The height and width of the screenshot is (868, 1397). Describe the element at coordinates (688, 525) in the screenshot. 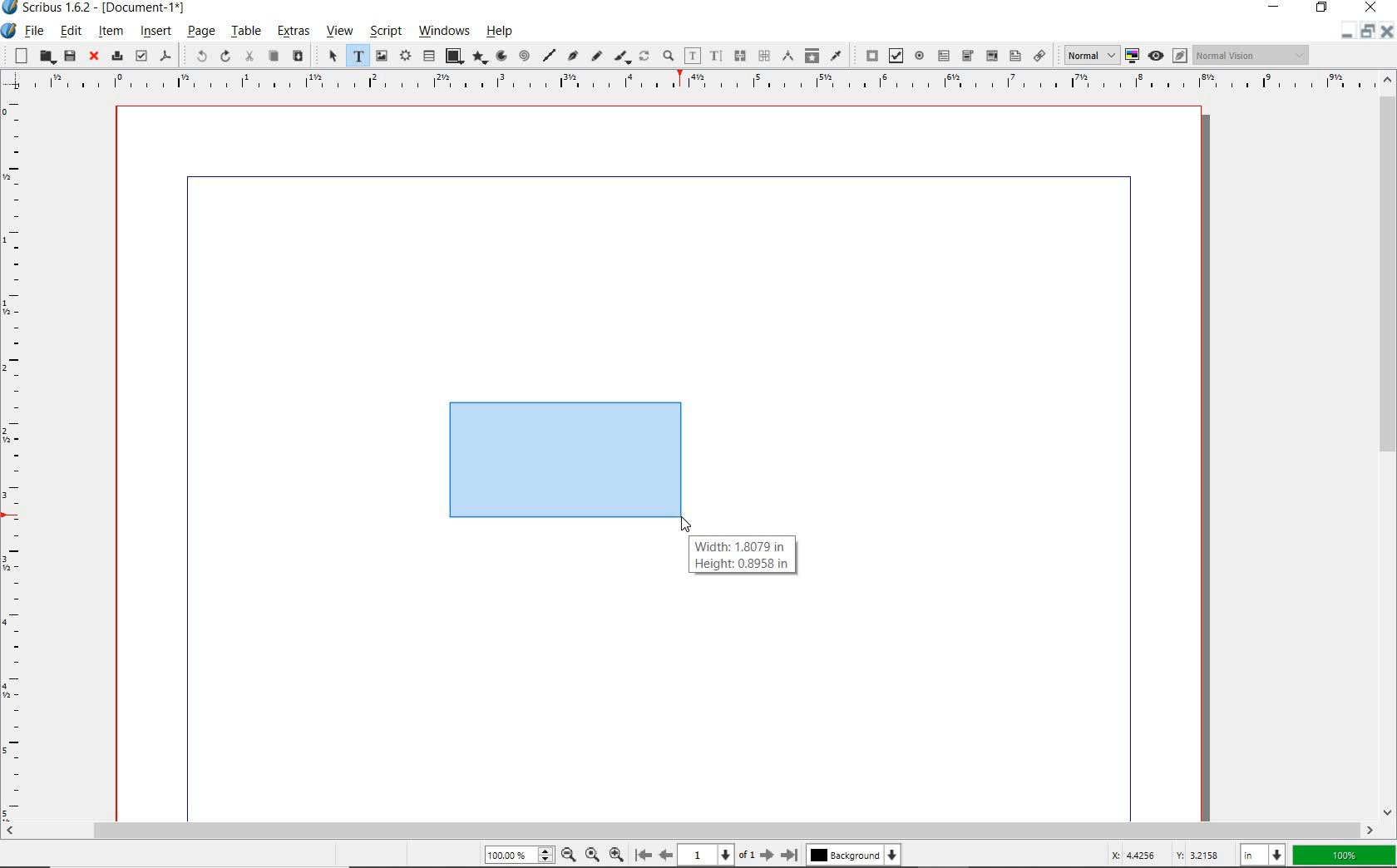

I see `MOUSE_UP Cursor Position` at that location.